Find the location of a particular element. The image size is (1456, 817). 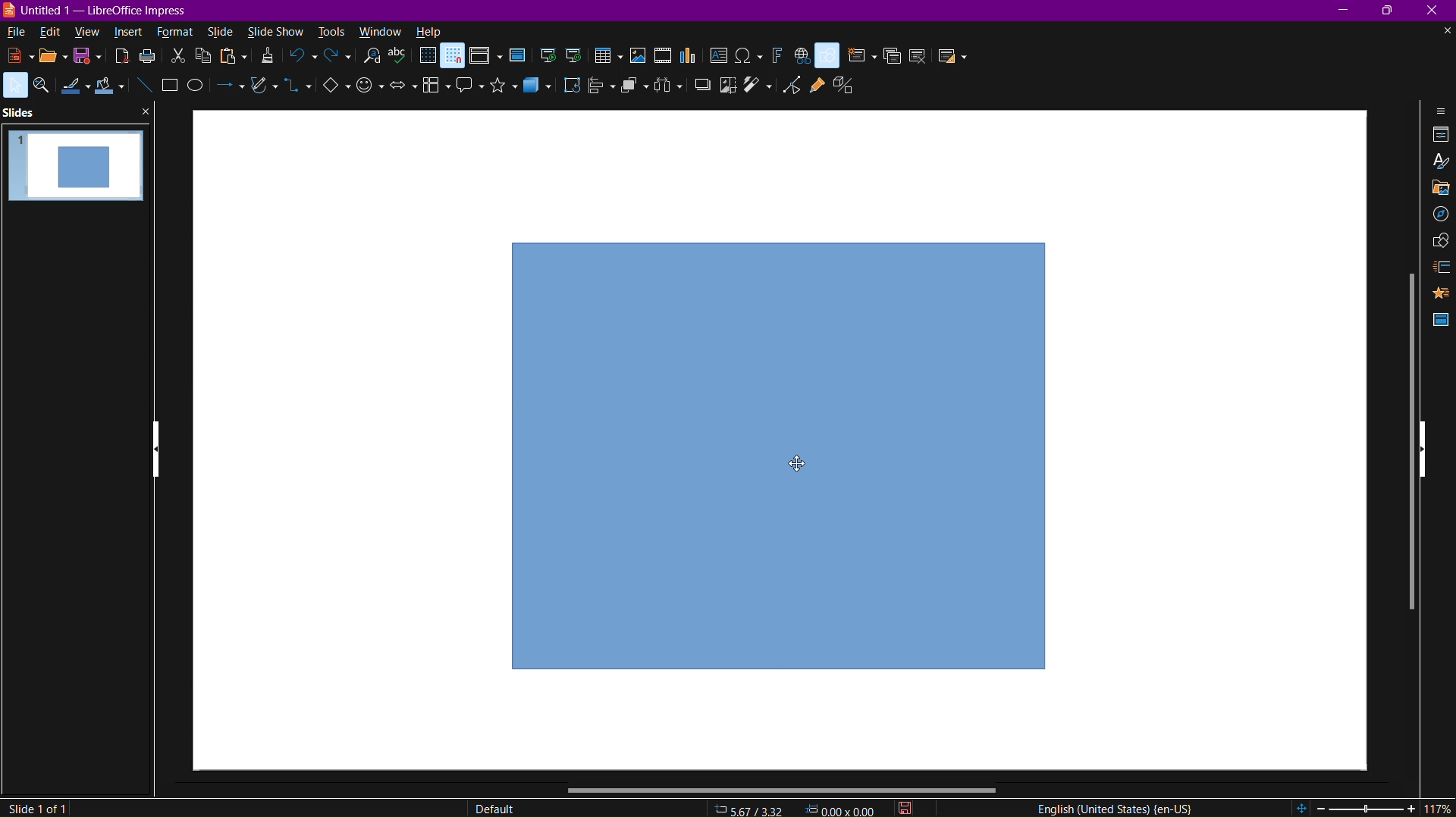

Shadow is located at coordinates (699, 90).